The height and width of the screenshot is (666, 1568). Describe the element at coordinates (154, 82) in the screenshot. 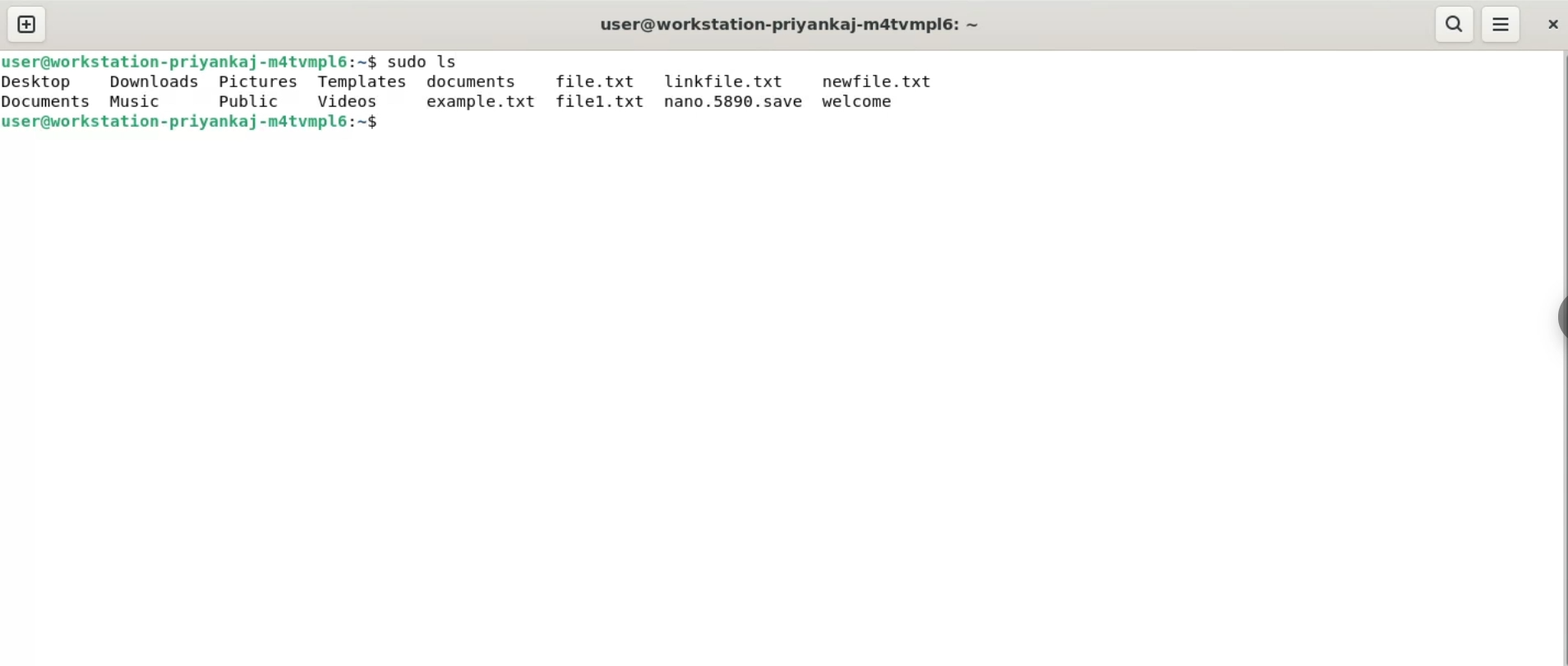

I see `downloads` at that location.